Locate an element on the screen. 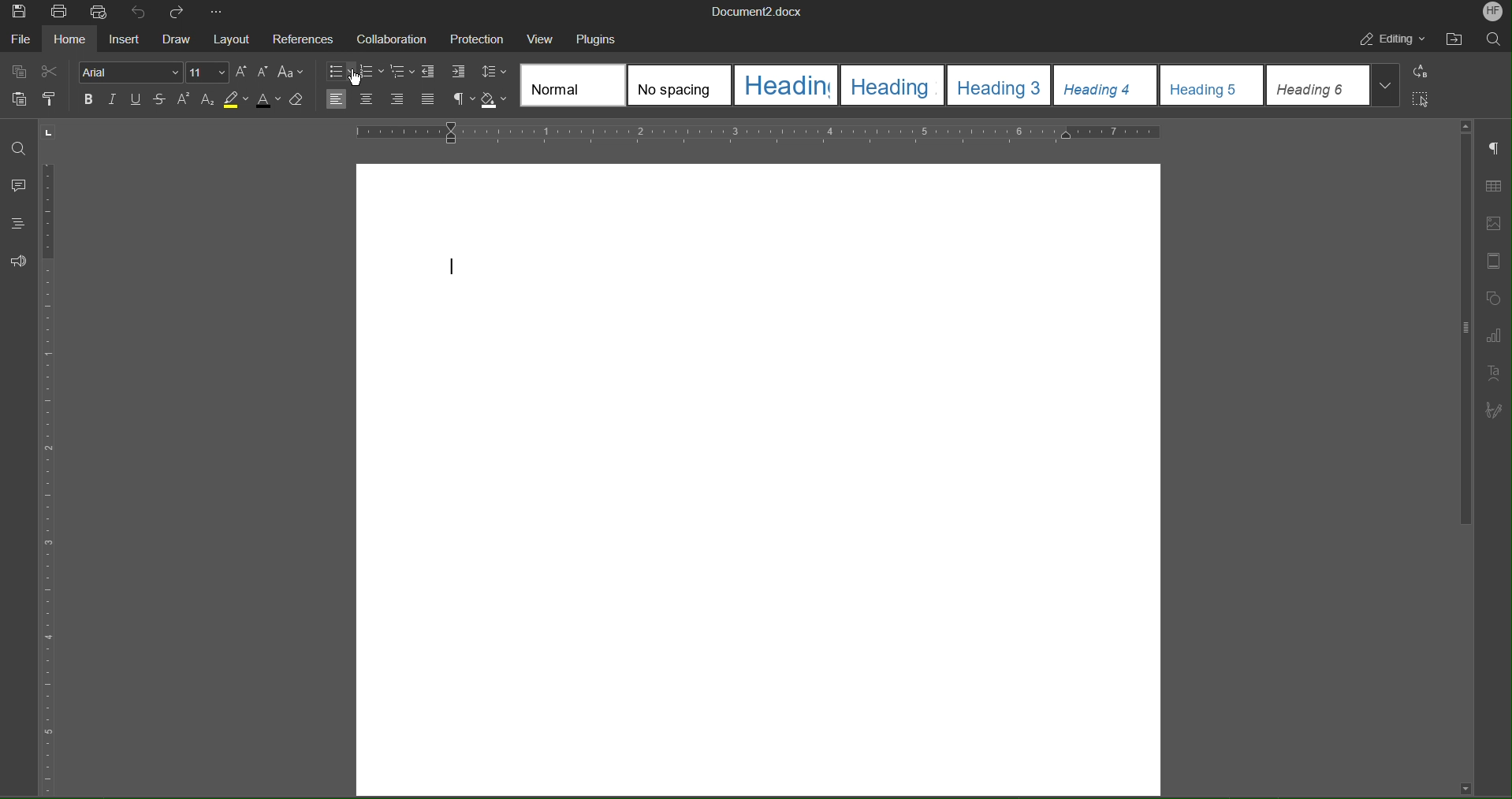 The width and height of the screenshot is (1512, 799). Plugins is located at coordinates (602, 39).